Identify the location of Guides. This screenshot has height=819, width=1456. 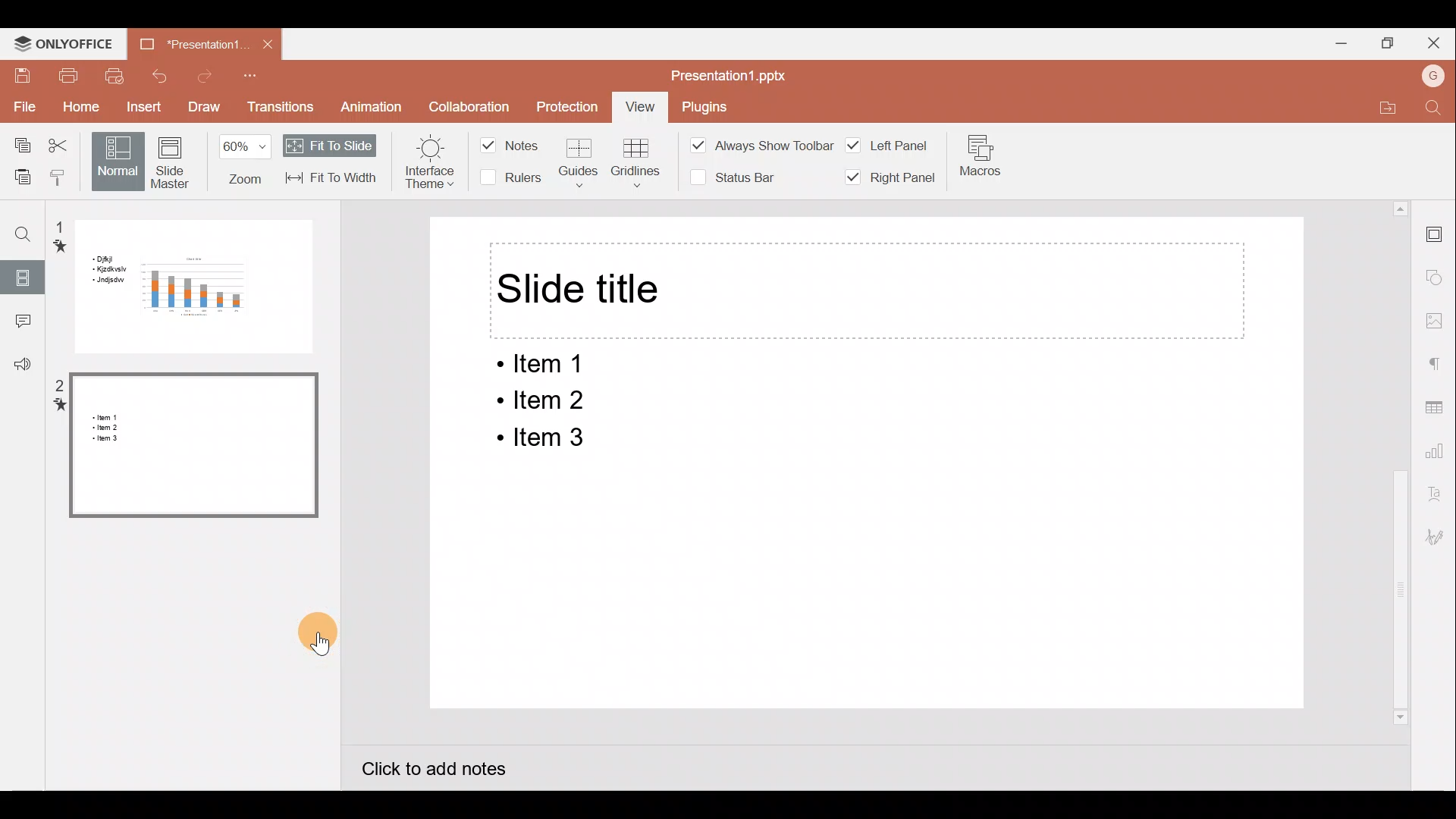
(577, 164).